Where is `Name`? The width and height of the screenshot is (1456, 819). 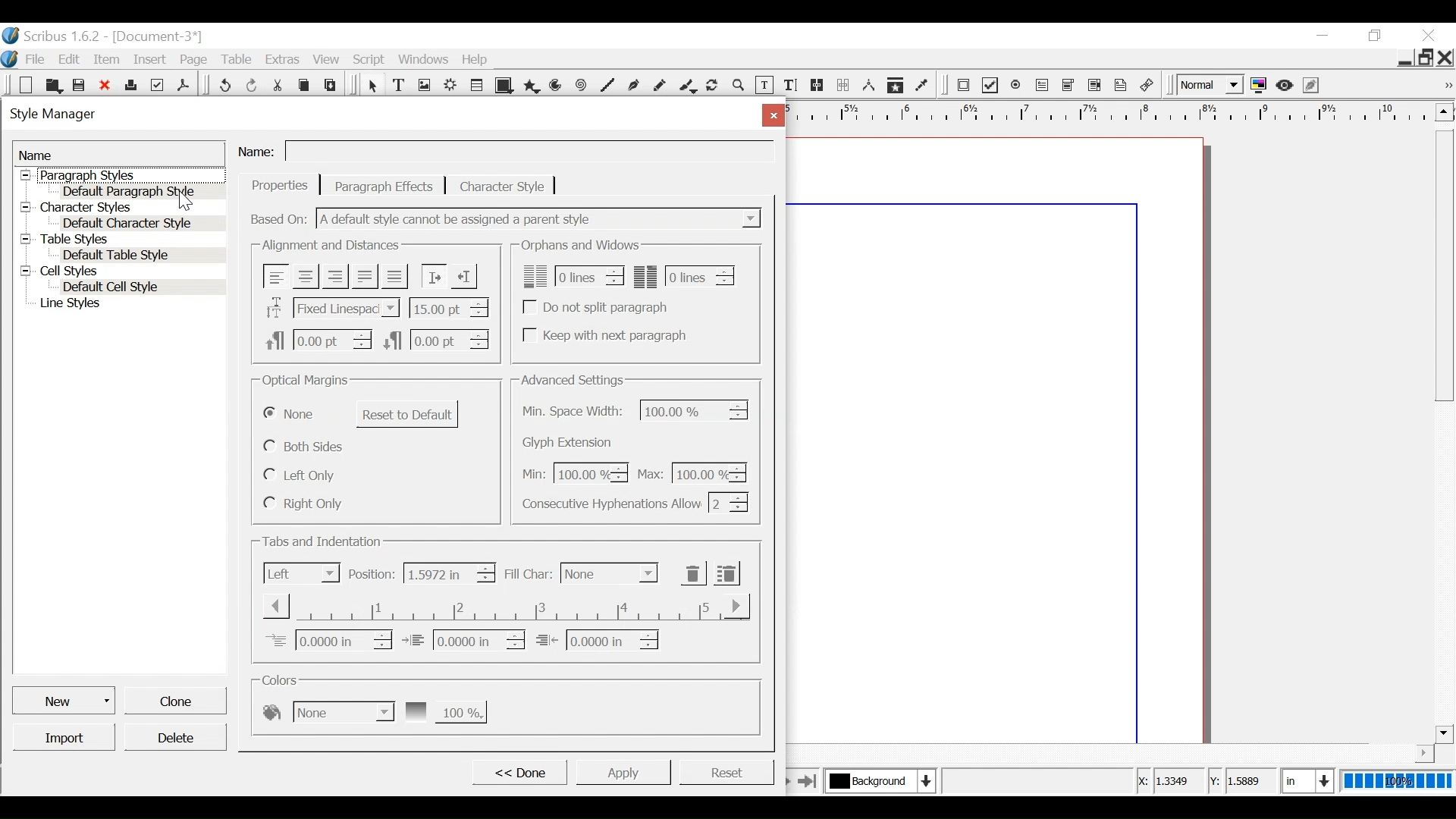
Name is located at coordinates (119, 154).